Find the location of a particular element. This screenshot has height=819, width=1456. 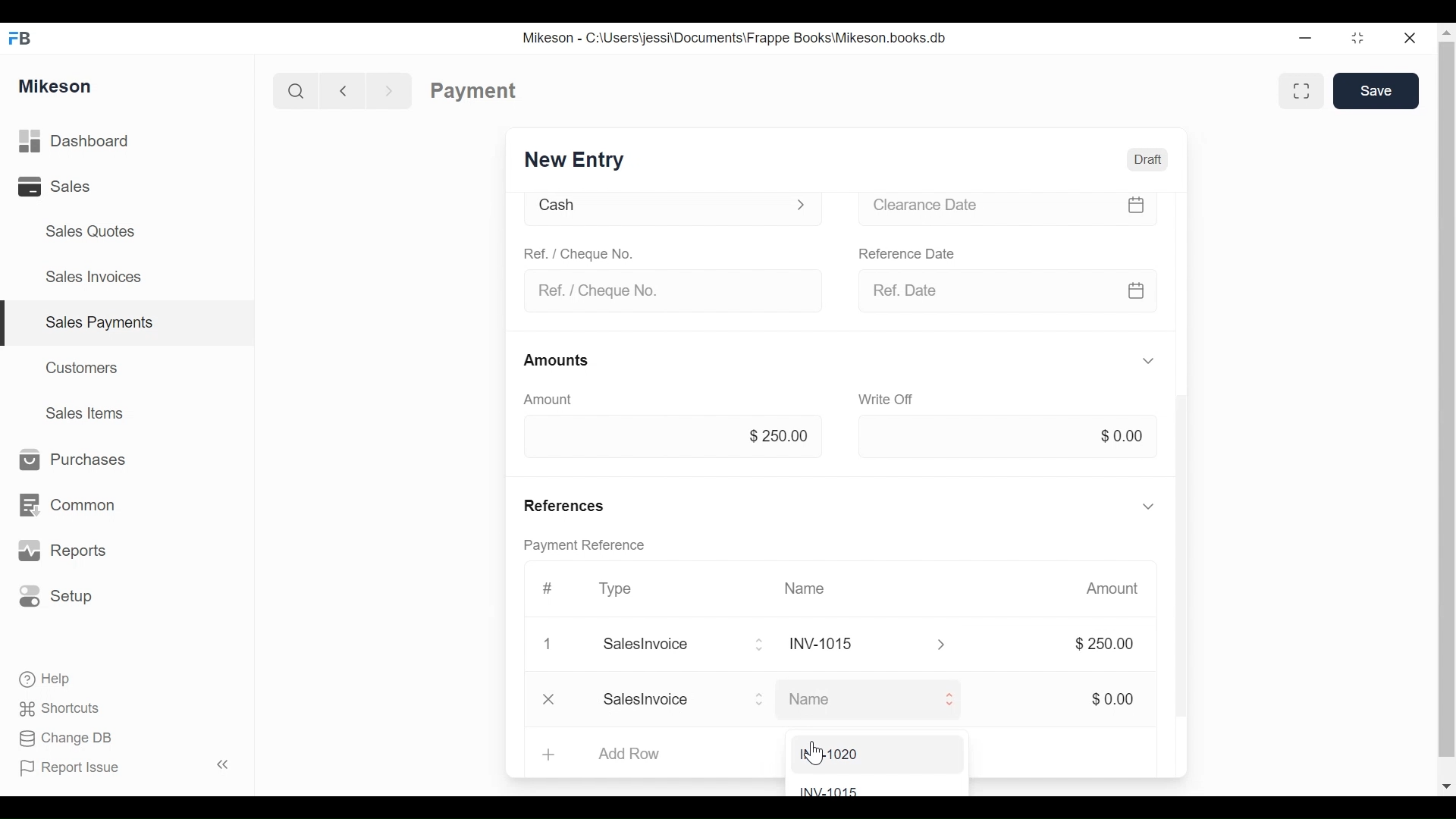

Forward is located at coordinates (394, 89).